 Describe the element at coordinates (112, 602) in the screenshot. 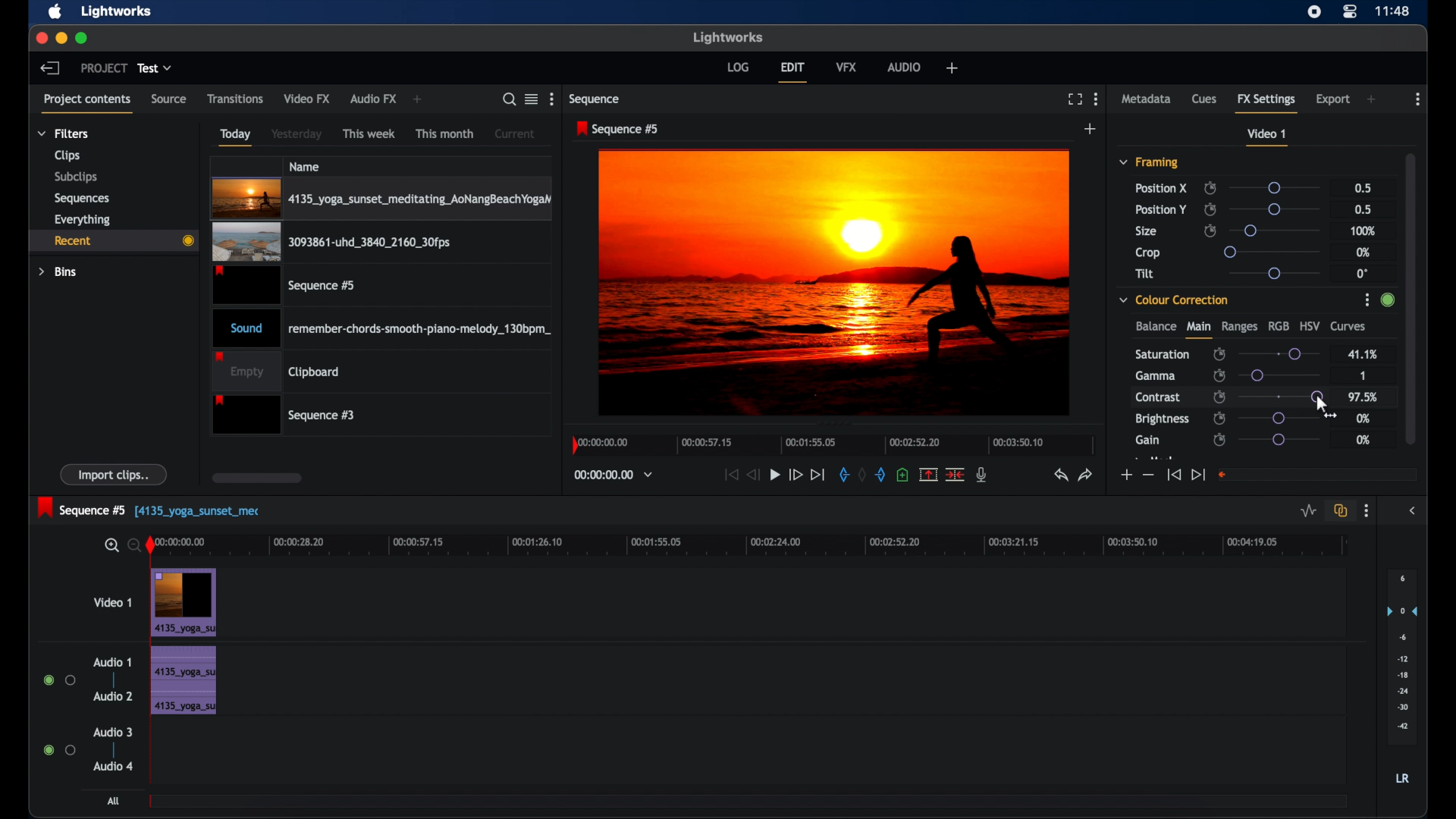

I see `video 1` at that location.